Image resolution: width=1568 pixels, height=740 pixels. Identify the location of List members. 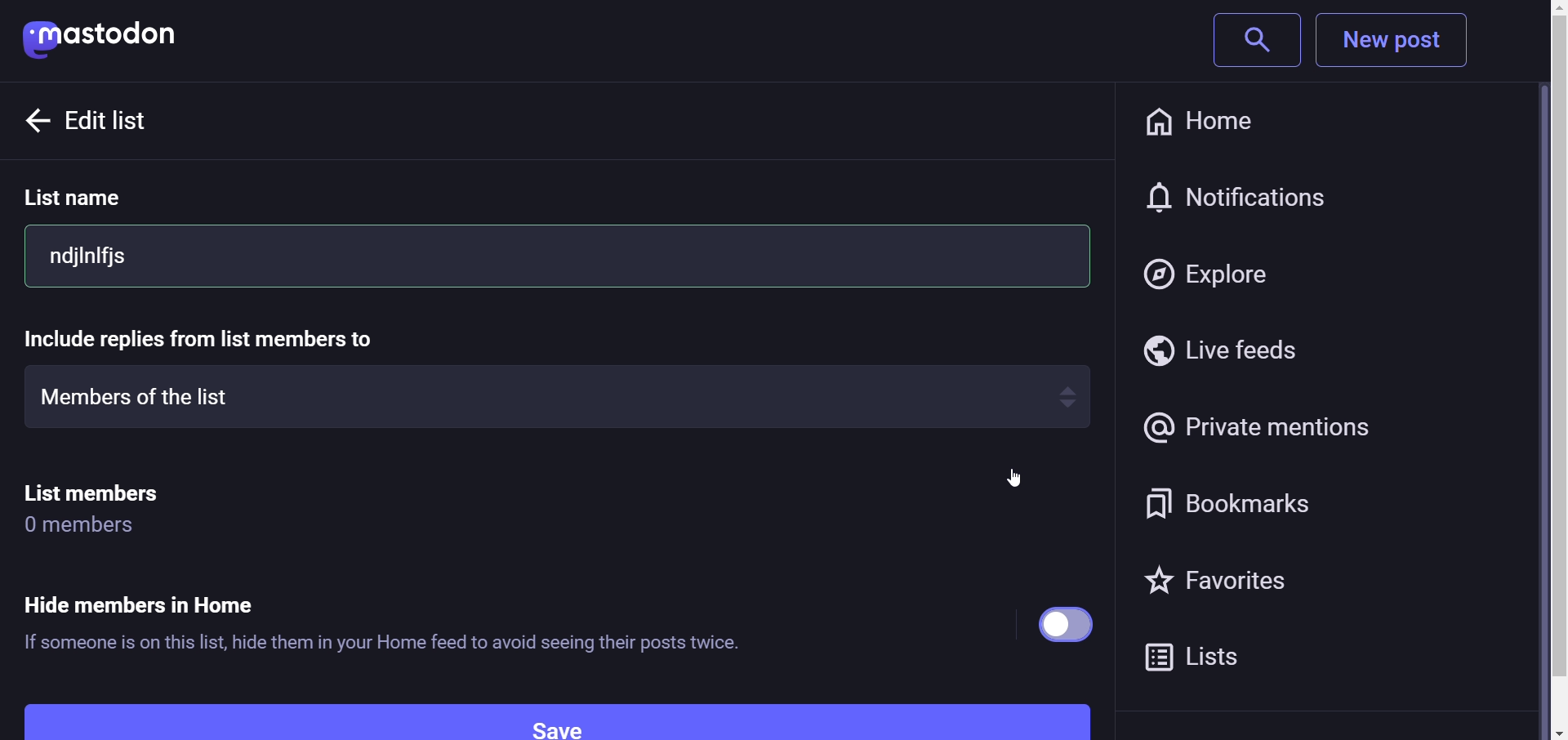
(112, 489).